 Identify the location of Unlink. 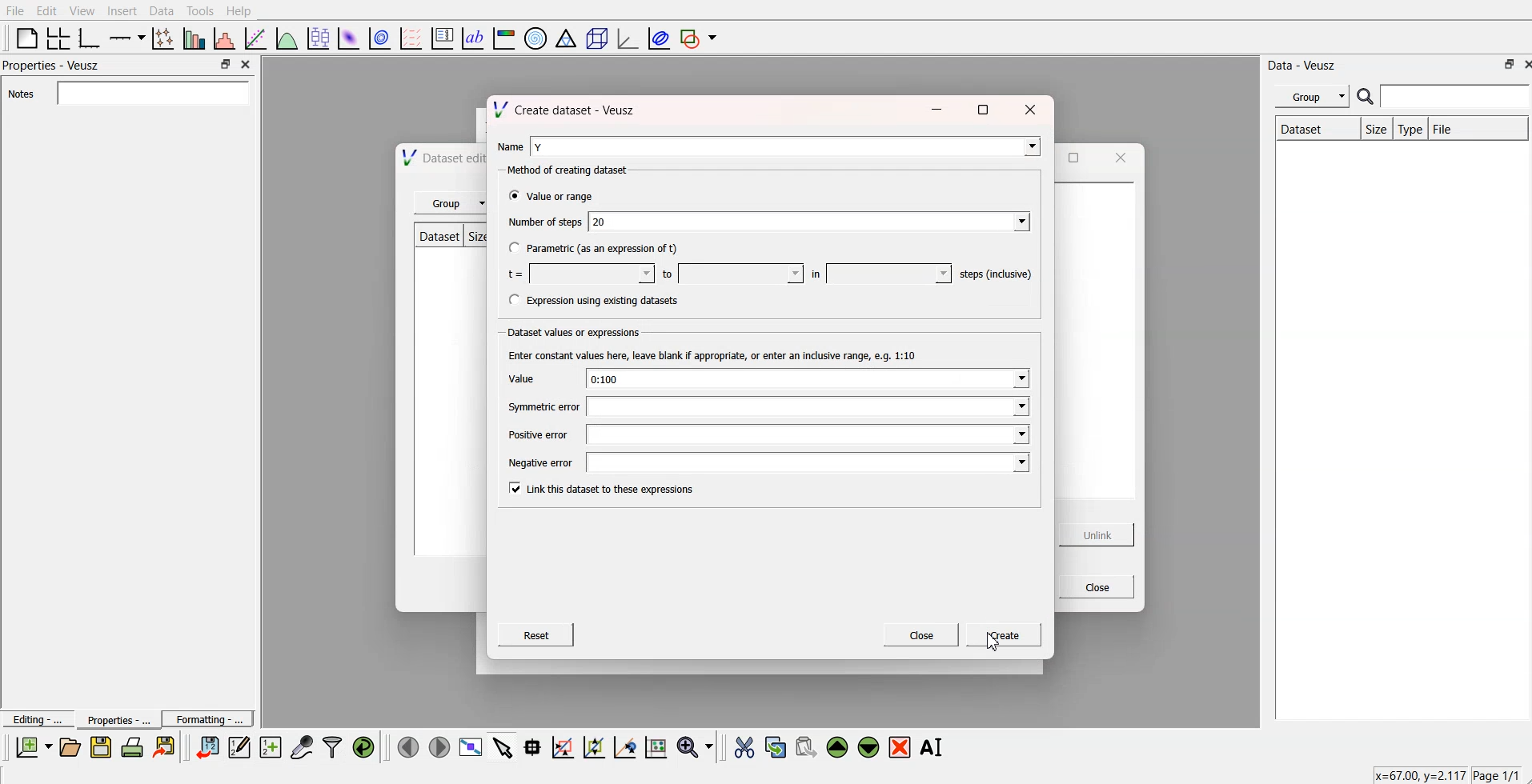
(1094, 535).